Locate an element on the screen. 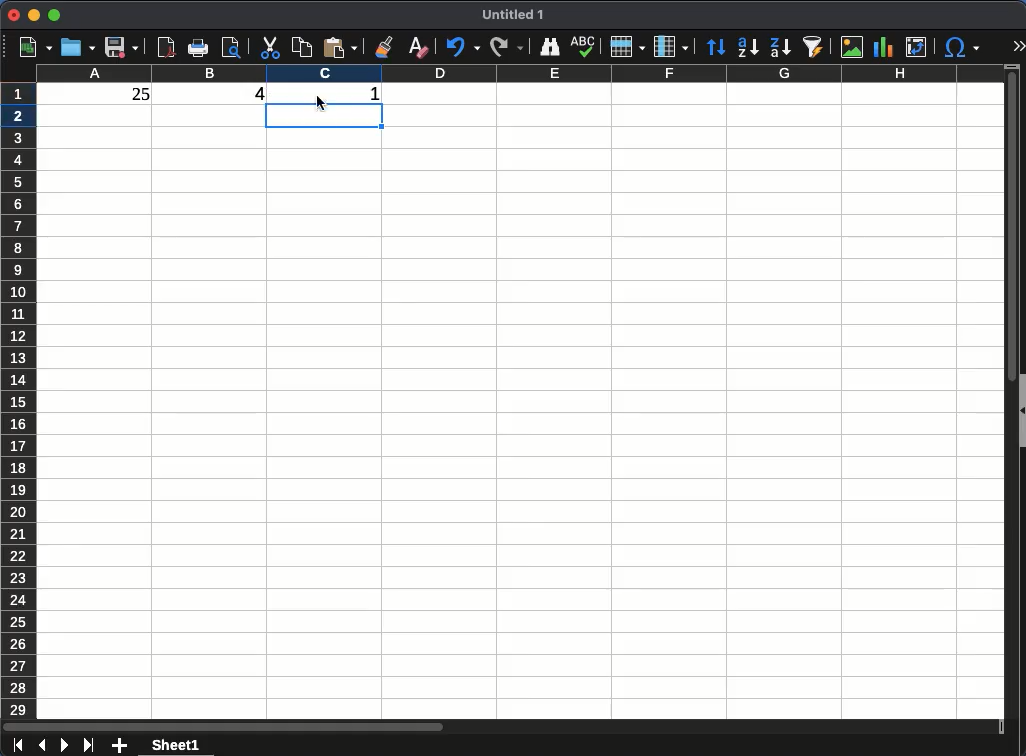  last sheet is located at coordinates (90, 745).